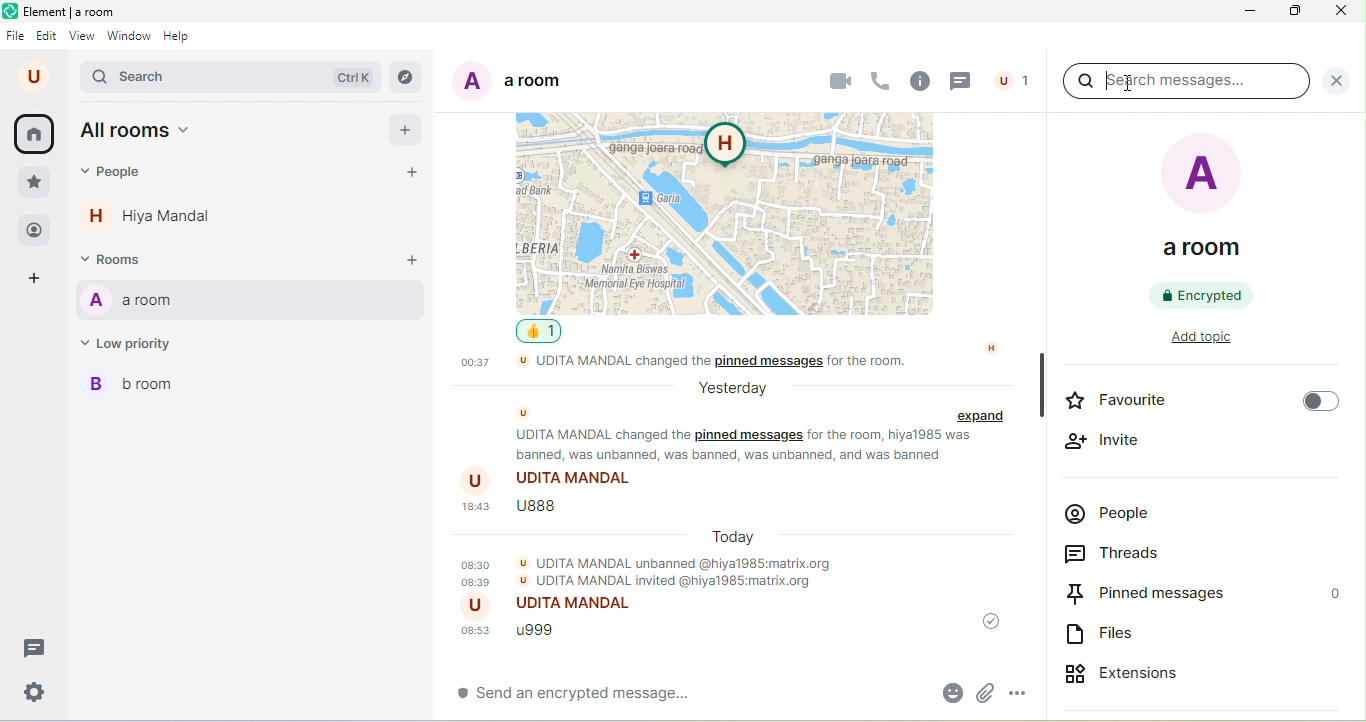 Image resolution: width=1366 pixels, height=722 pixels. I want to click on threads, so click(962, 81).